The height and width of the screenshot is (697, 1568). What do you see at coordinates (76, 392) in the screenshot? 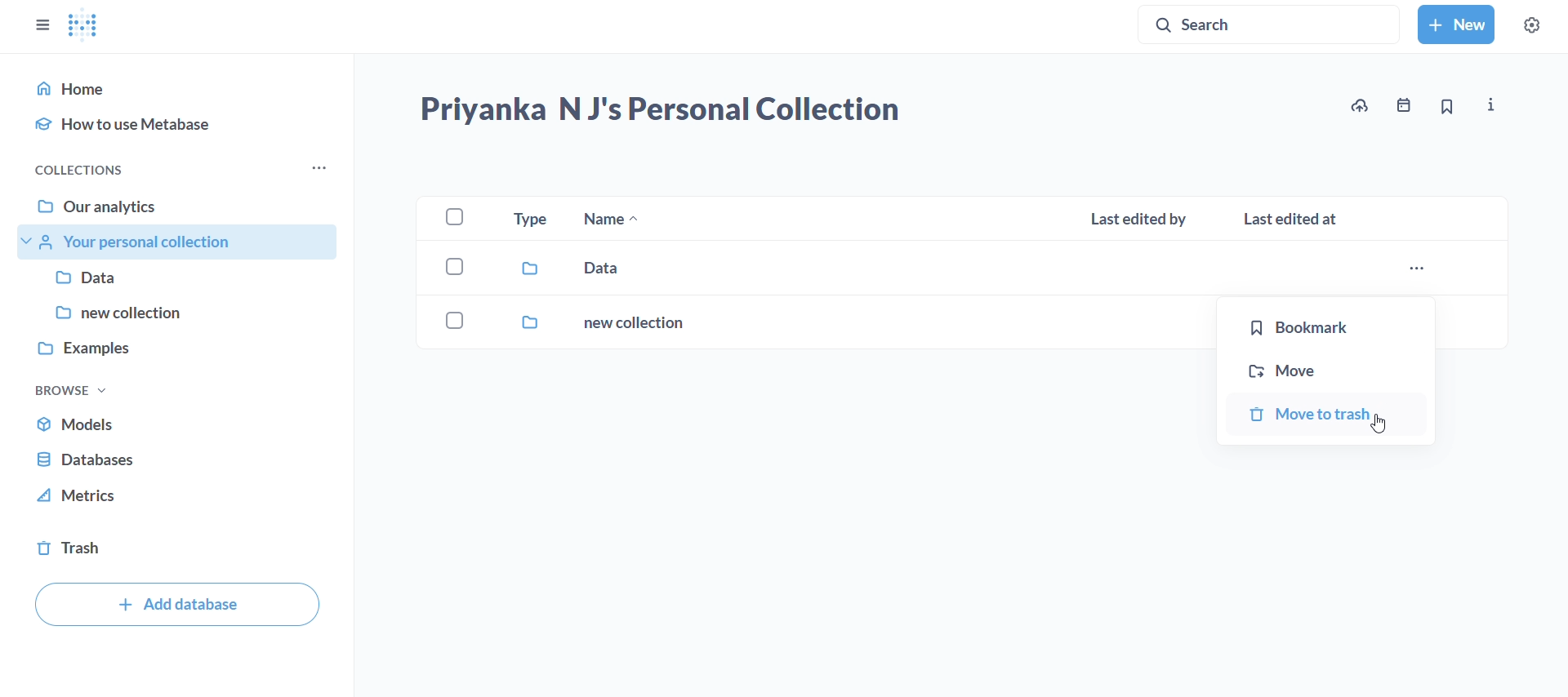
I see `browse` at bounding box center [76, 392].